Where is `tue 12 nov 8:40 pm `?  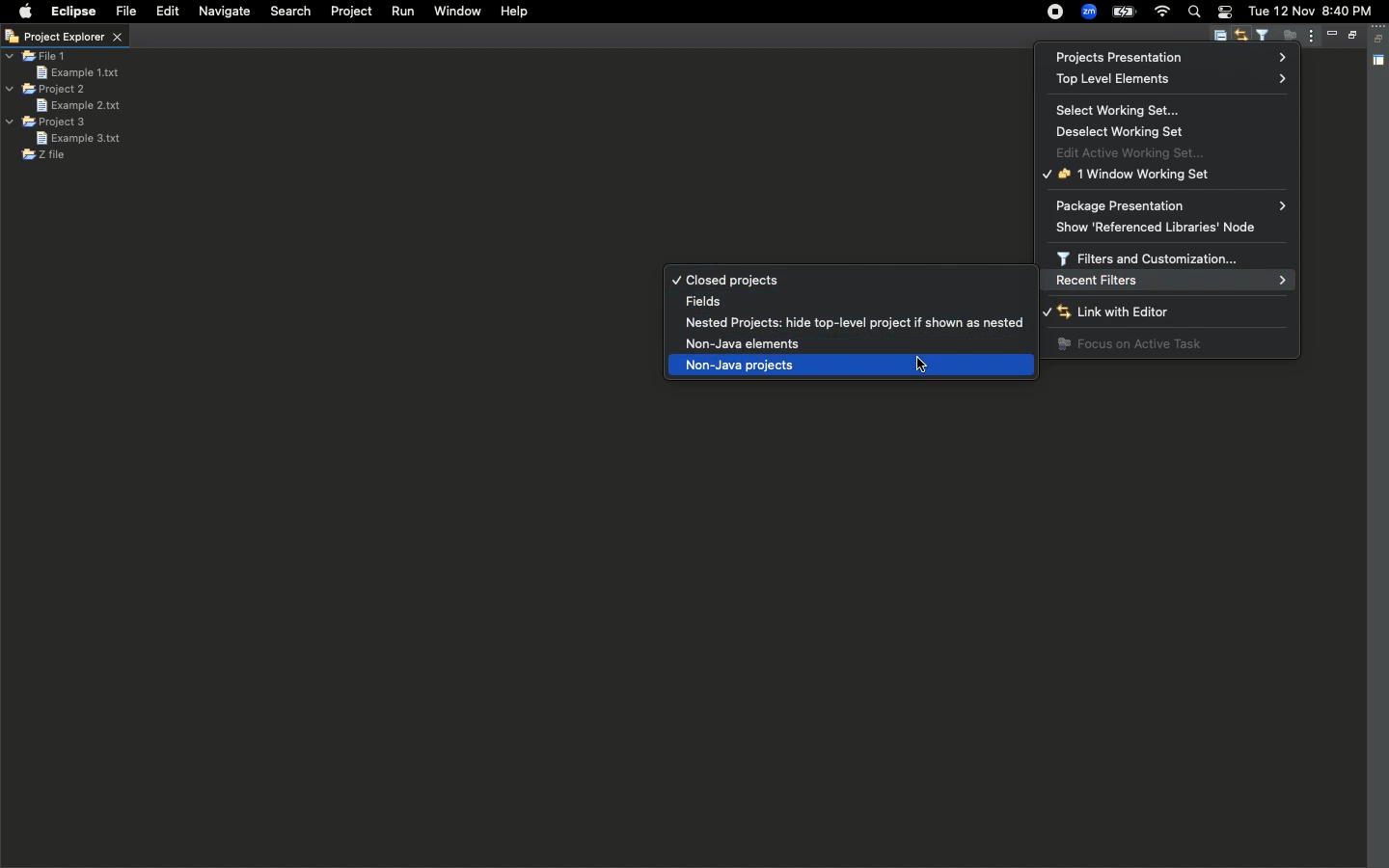
tue 12 nov 8:40 pm  is located at coordinates (1313, 11).